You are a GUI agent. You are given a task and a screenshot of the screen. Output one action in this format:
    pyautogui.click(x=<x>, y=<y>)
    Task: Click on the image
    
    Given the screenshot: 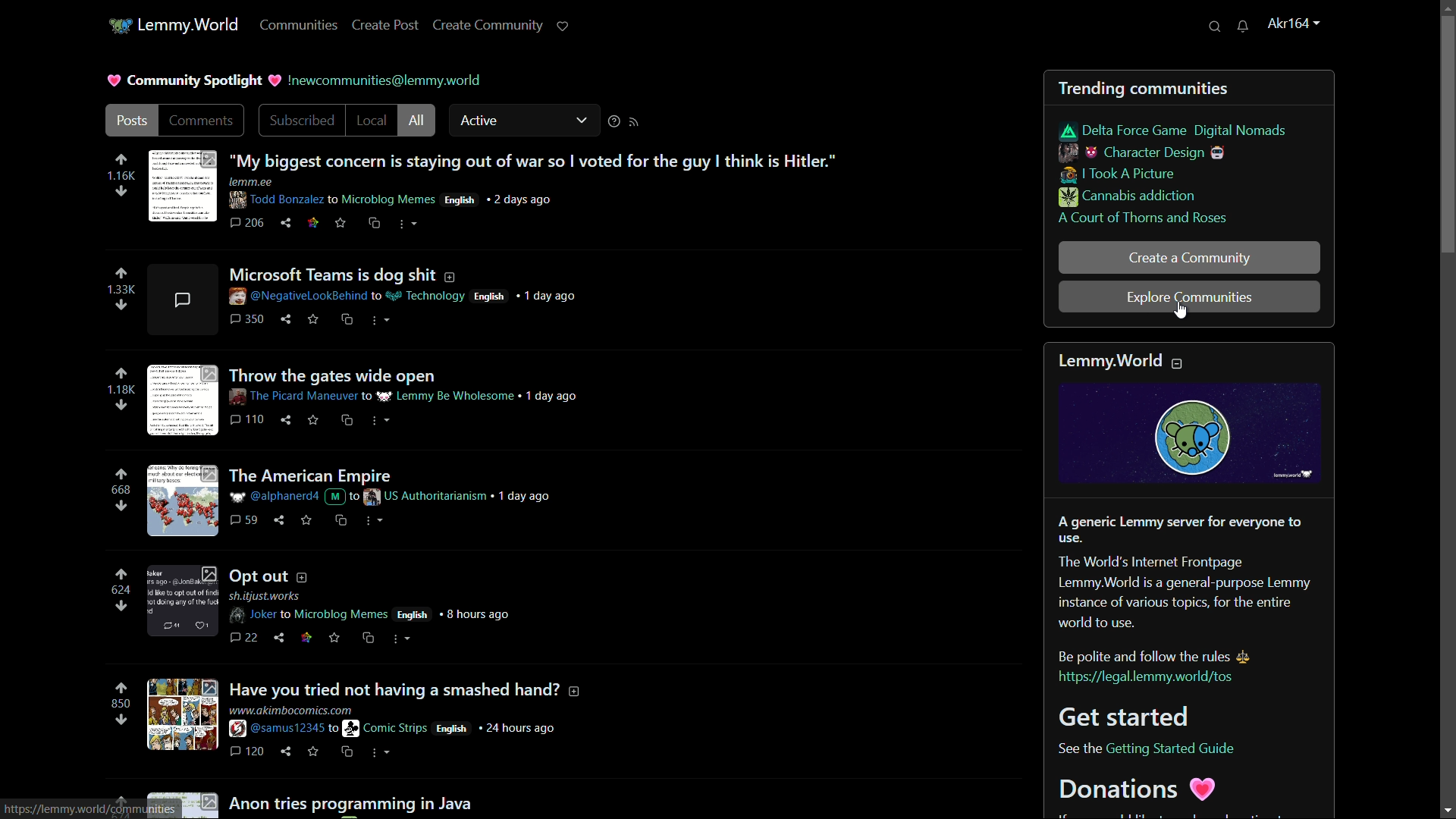 What is the action you would take?
    pyautogui.click(x=185, y=188)
    